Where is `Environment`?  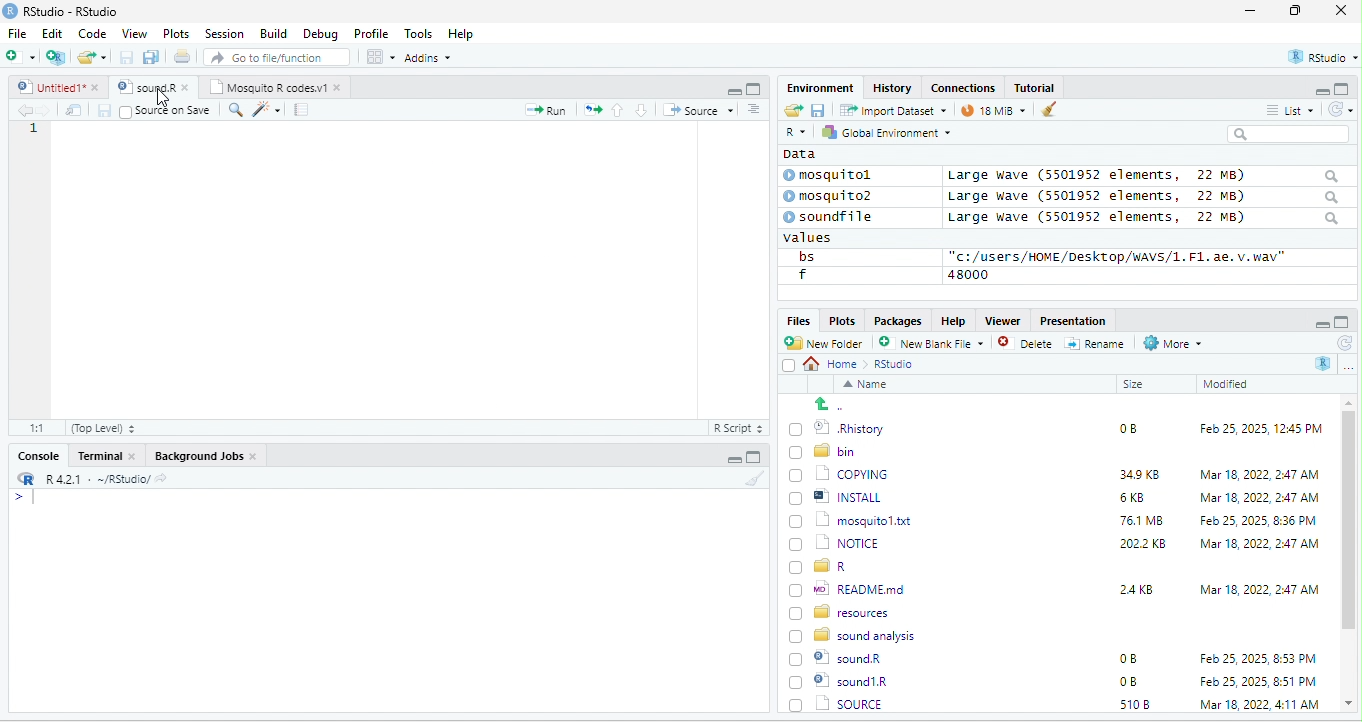
Environment is located at coordinates (820, 87).